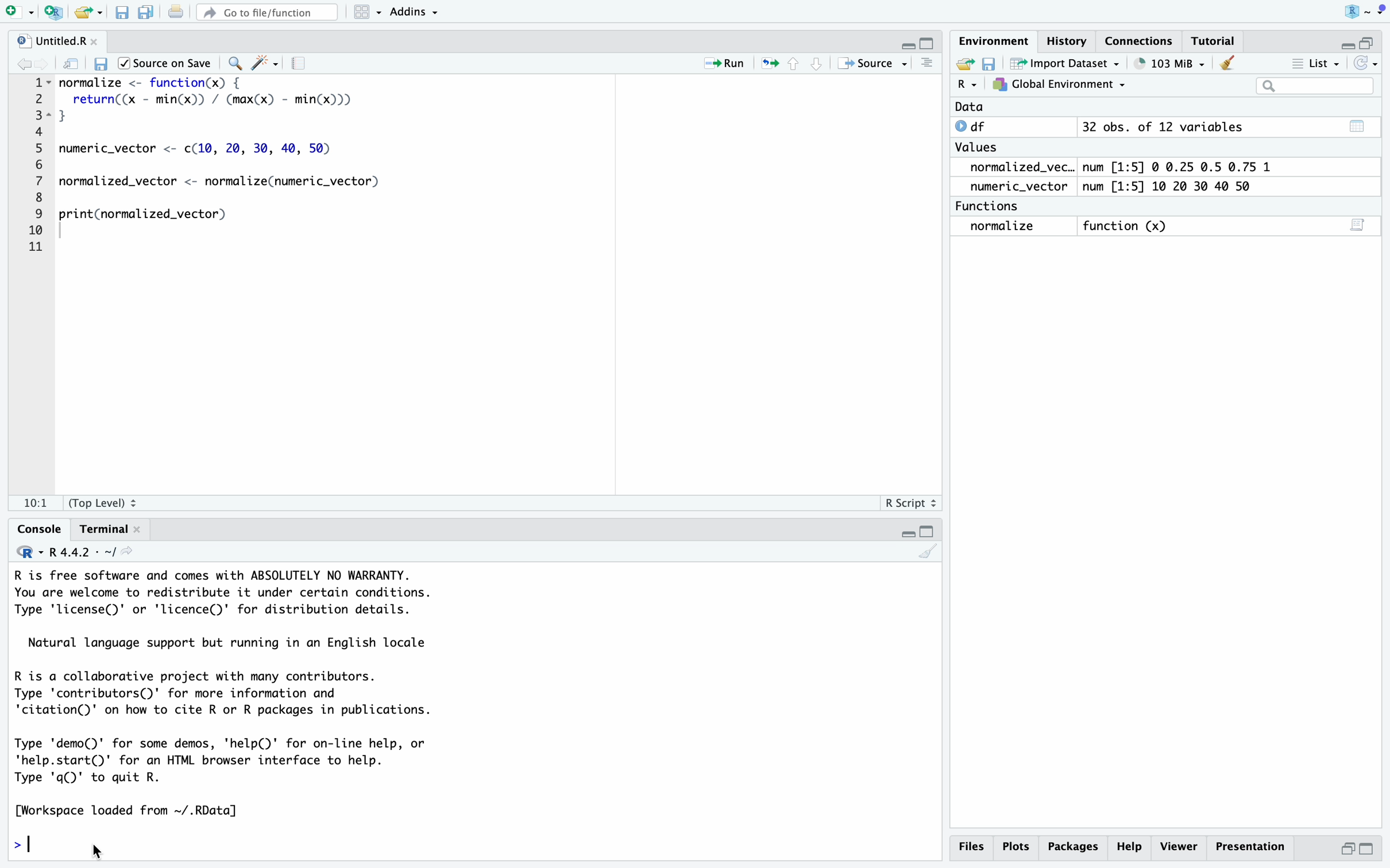  What do you see at coordinates (1129, 847) in the screenshot?
I see `Help` at bounding box center [1129, 847].